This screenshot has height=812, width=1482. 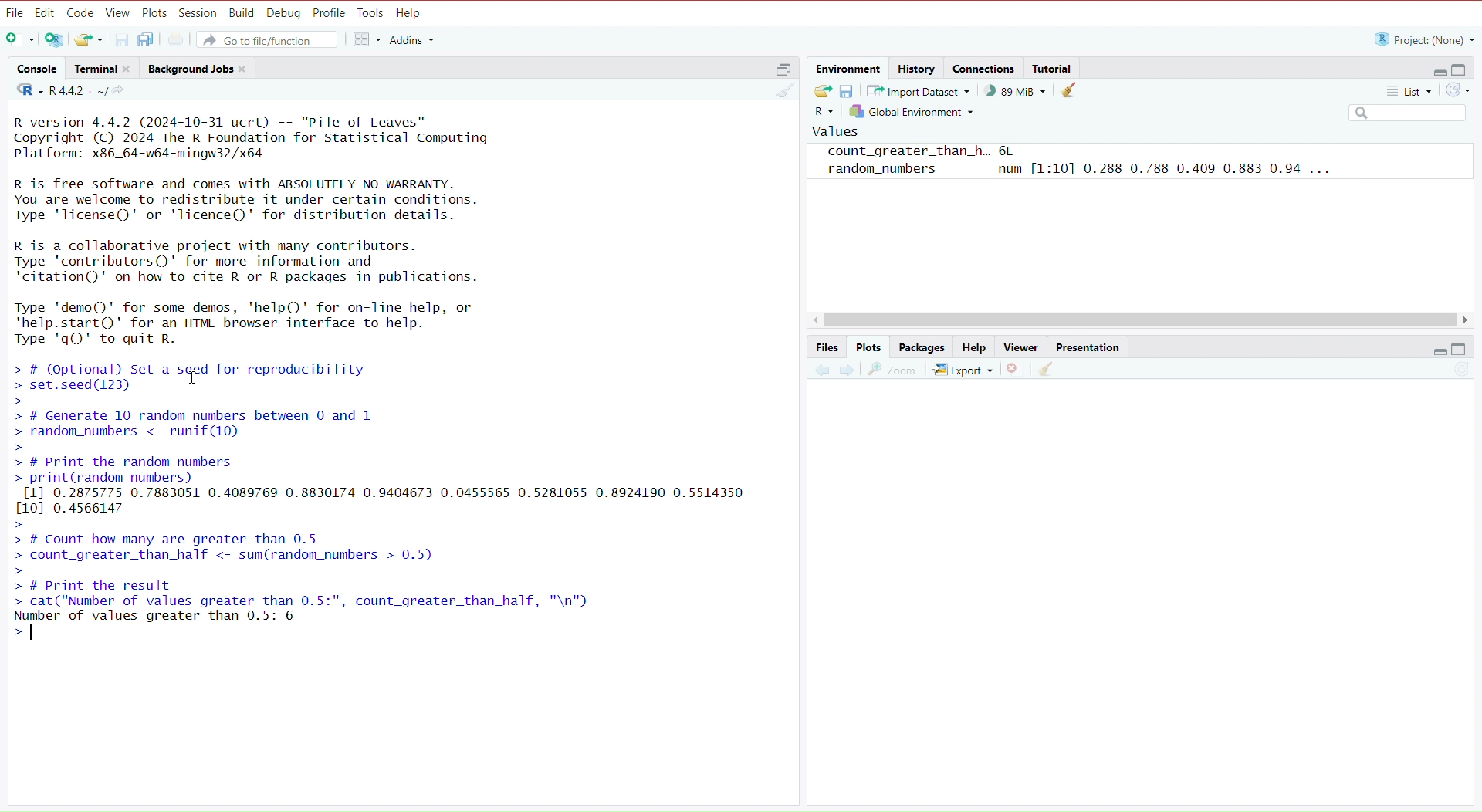 What do you see at coordinates (175, 39) in the screenshot?
I see `Print` at bounding box center [175, 39].